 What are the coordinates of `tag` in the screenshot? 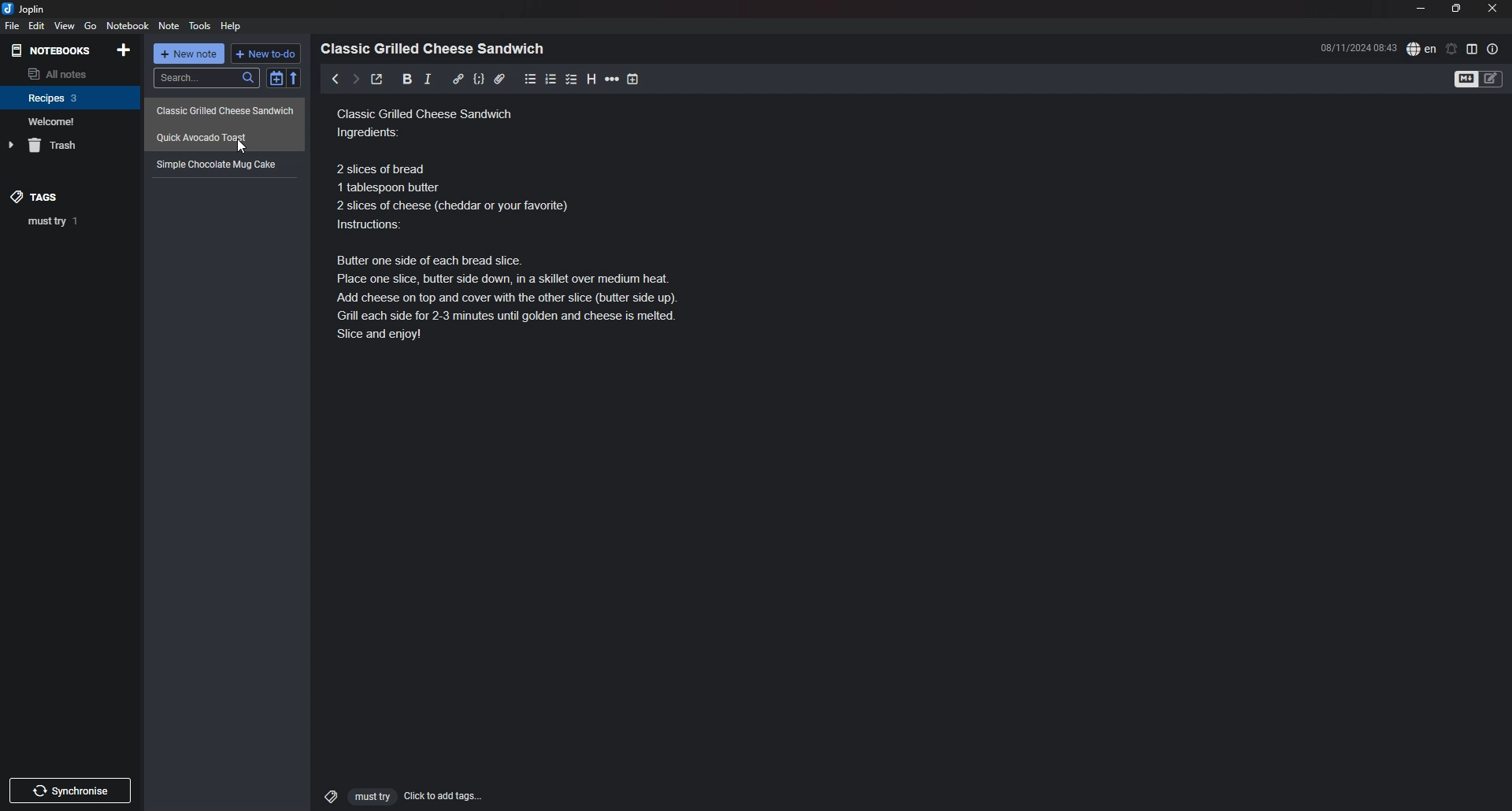 It's located at (75, 220).